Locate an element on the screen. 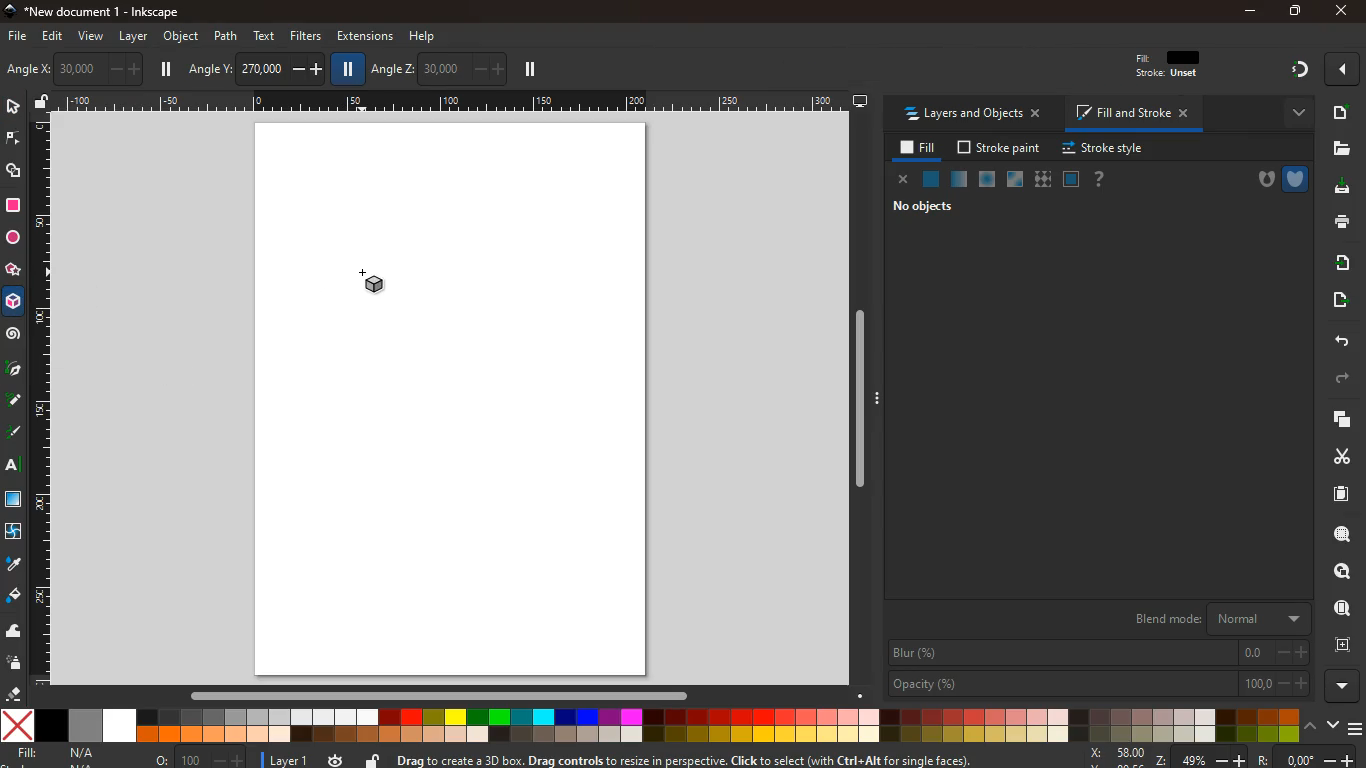 The height and width of the screenshot is (768, 1366). normal is located at coordinates (932, 180).